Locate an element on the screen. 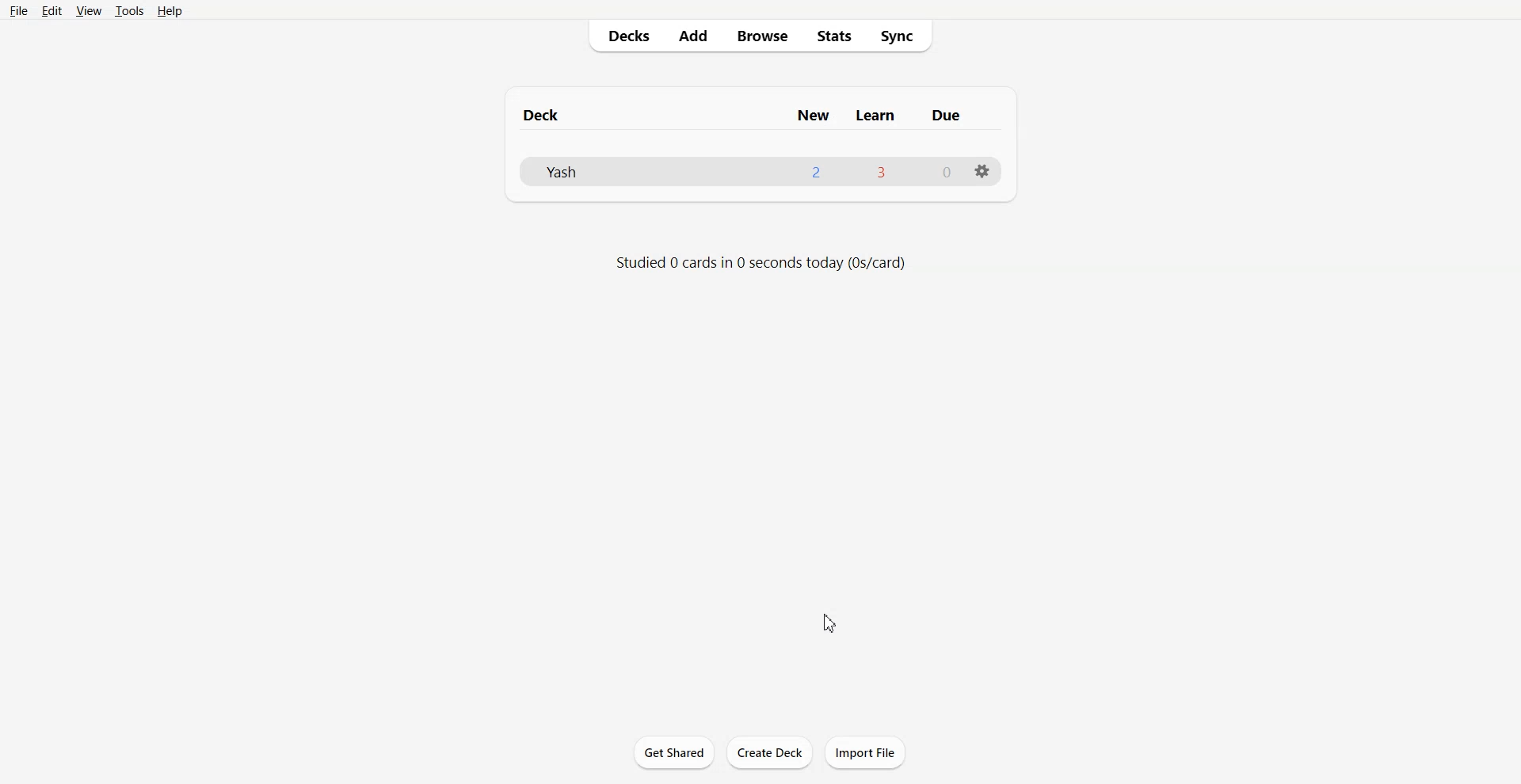 The width and height of the screenshot is (1521, 784). Studied 0 cards in 0 seconds today (0s/card) is located at coordinates (762, 263).